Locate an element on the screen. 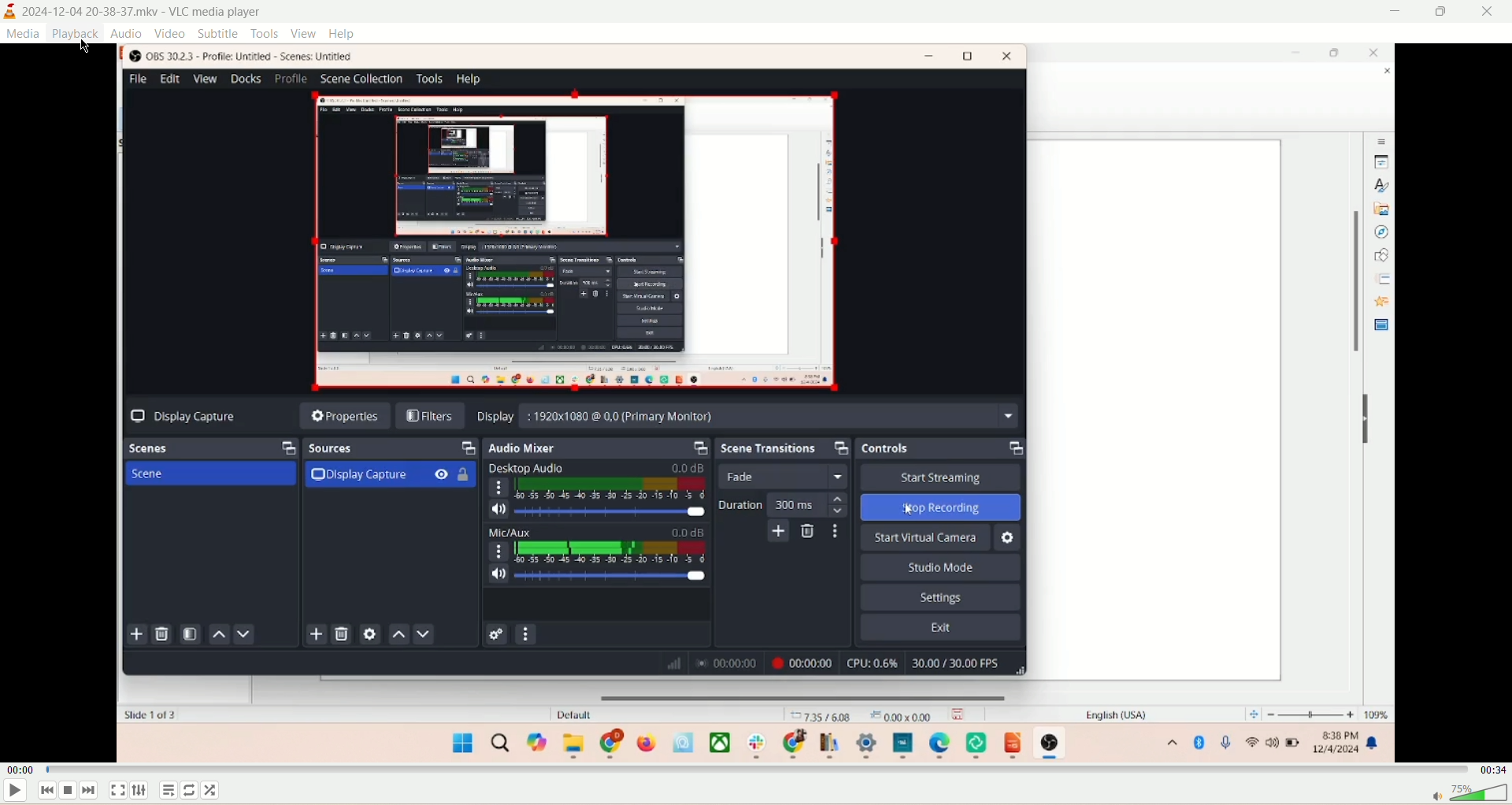  total time is located at coordinates (1492, 769).